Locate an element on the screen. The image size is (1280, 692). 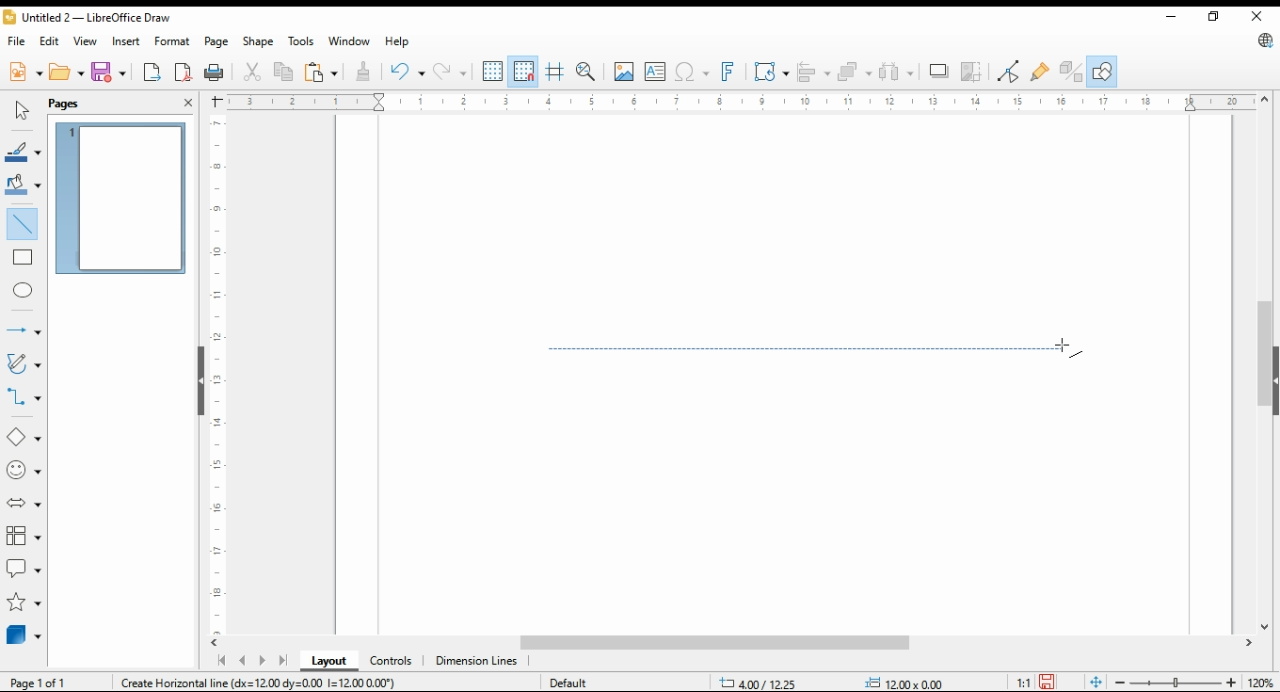
block arrows is located at coordinates (26, 503).